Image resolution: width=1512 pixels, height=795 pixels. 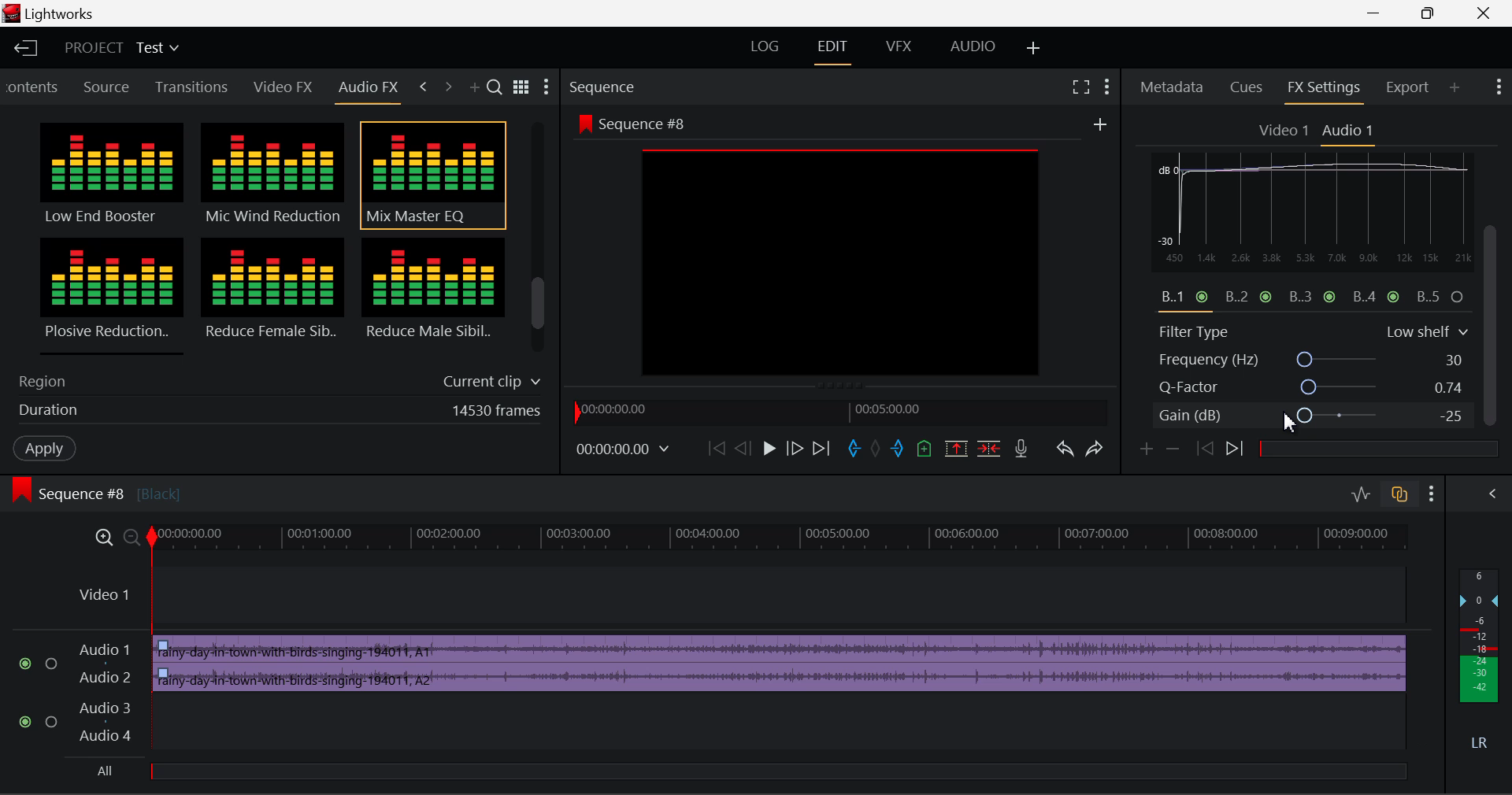 What do you see at coordinates (1497, 84) in the screenshot?
I see `Show Settings` at bounding box center [1497, 84].